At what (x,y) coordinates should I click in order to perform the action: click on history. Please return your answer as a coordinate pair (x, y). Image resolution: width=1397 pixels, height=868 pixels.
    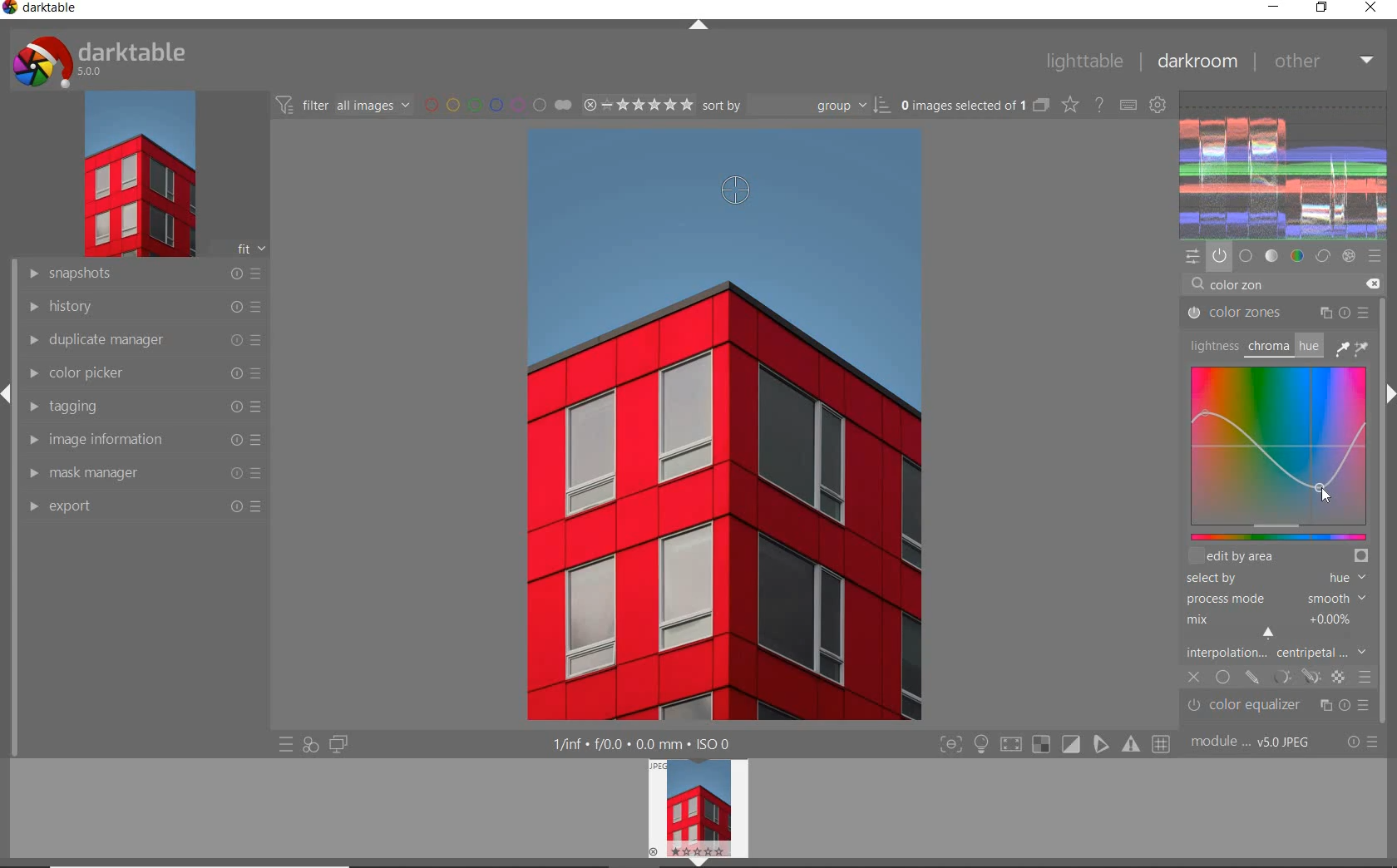
    Looking at the image, I should click on (141, 308).